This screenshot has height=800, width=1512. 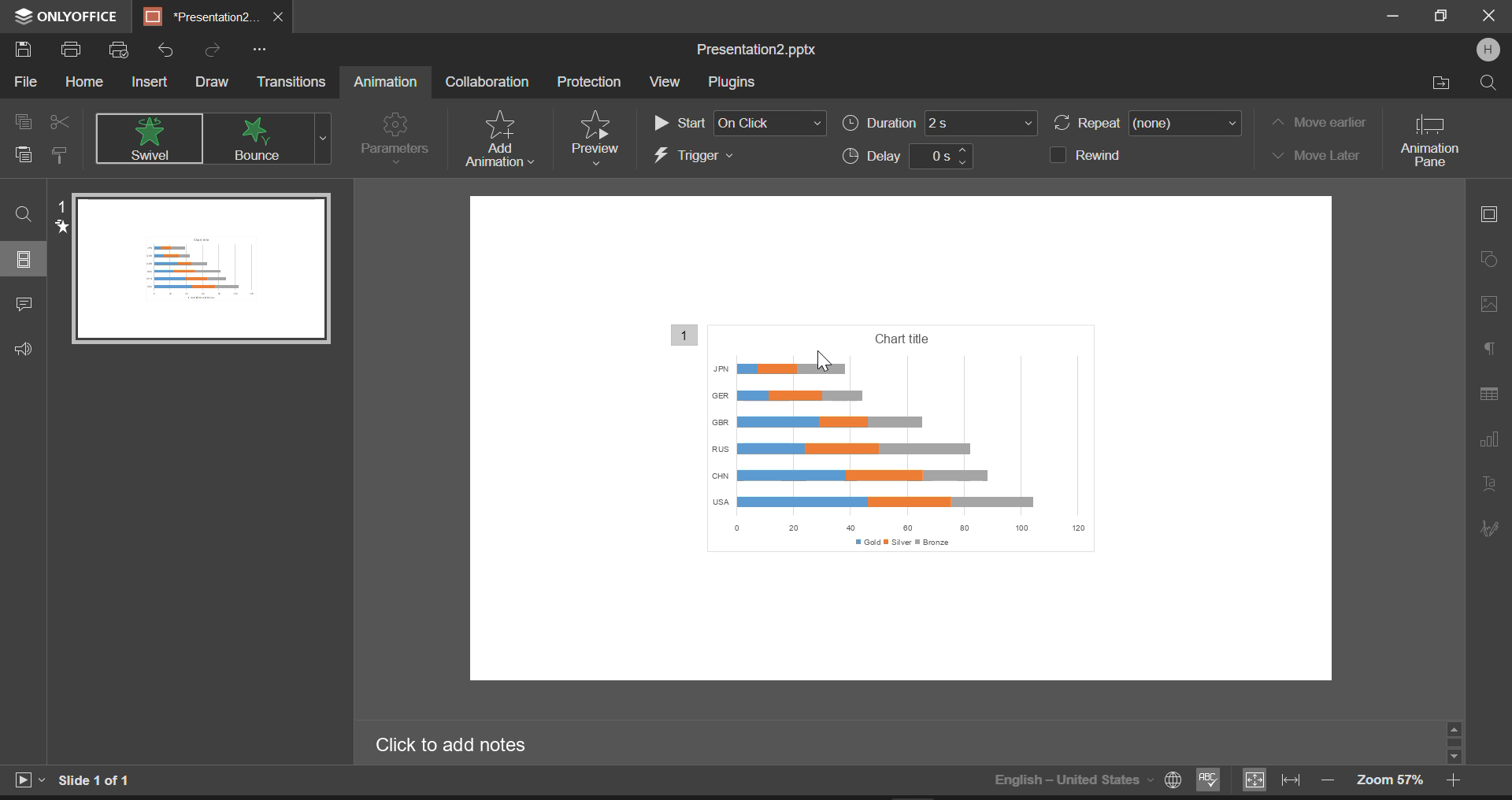 What do you see at coordinates (259, 49) in the screenshot?
I see `More Options` at bounding box center [259, 49].